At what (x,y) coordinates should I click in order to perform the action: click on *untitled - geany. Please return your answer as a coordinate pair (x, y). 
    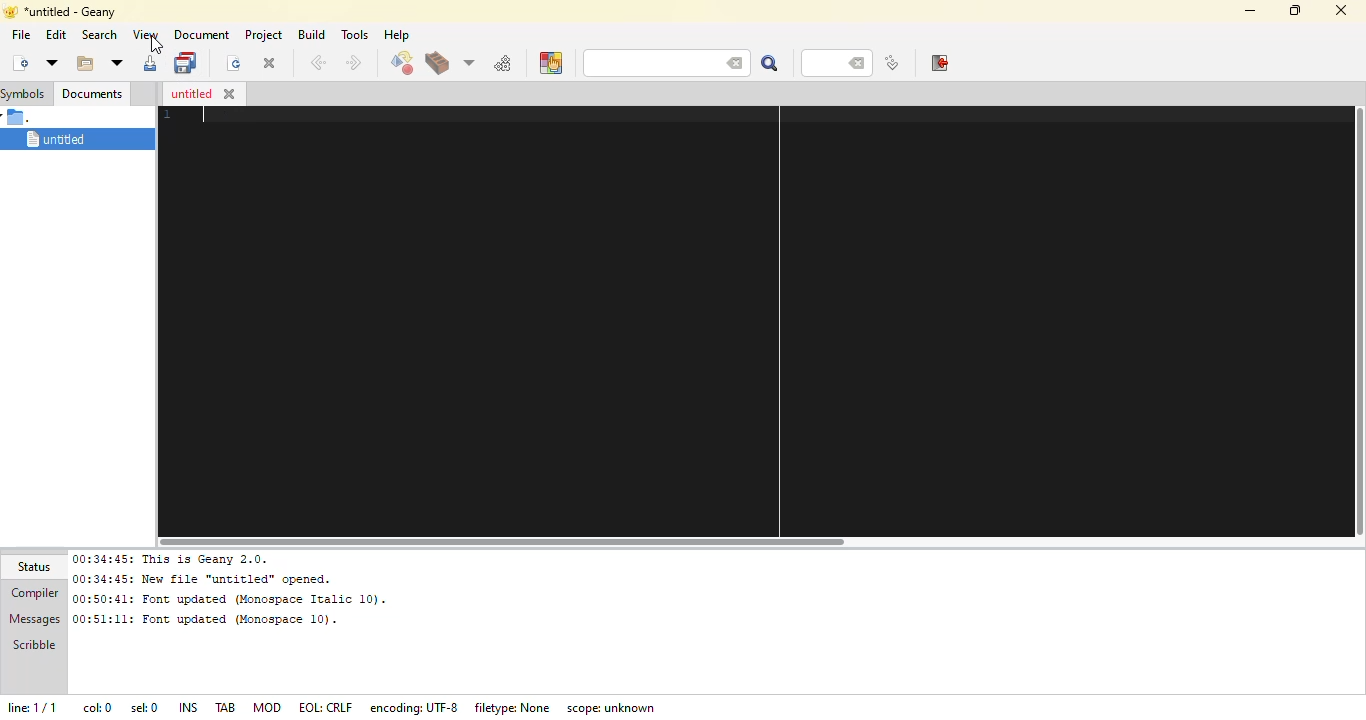
    Looking at the image, I should click on (73, 10).